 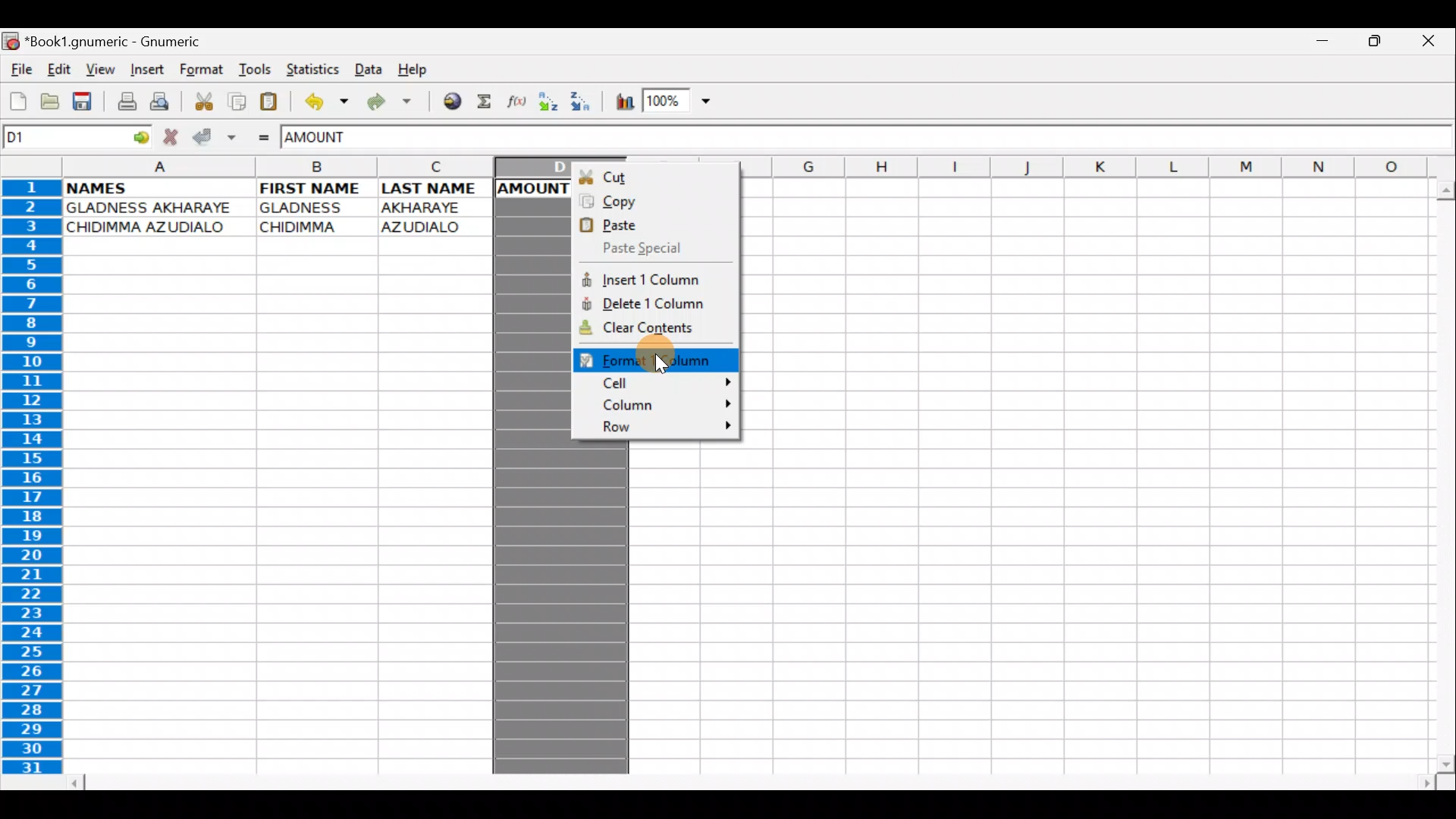 What do you see at coordinates (745, 780) in the screenshot?
I see `Scroll bar` at bounding box center [745, 780].